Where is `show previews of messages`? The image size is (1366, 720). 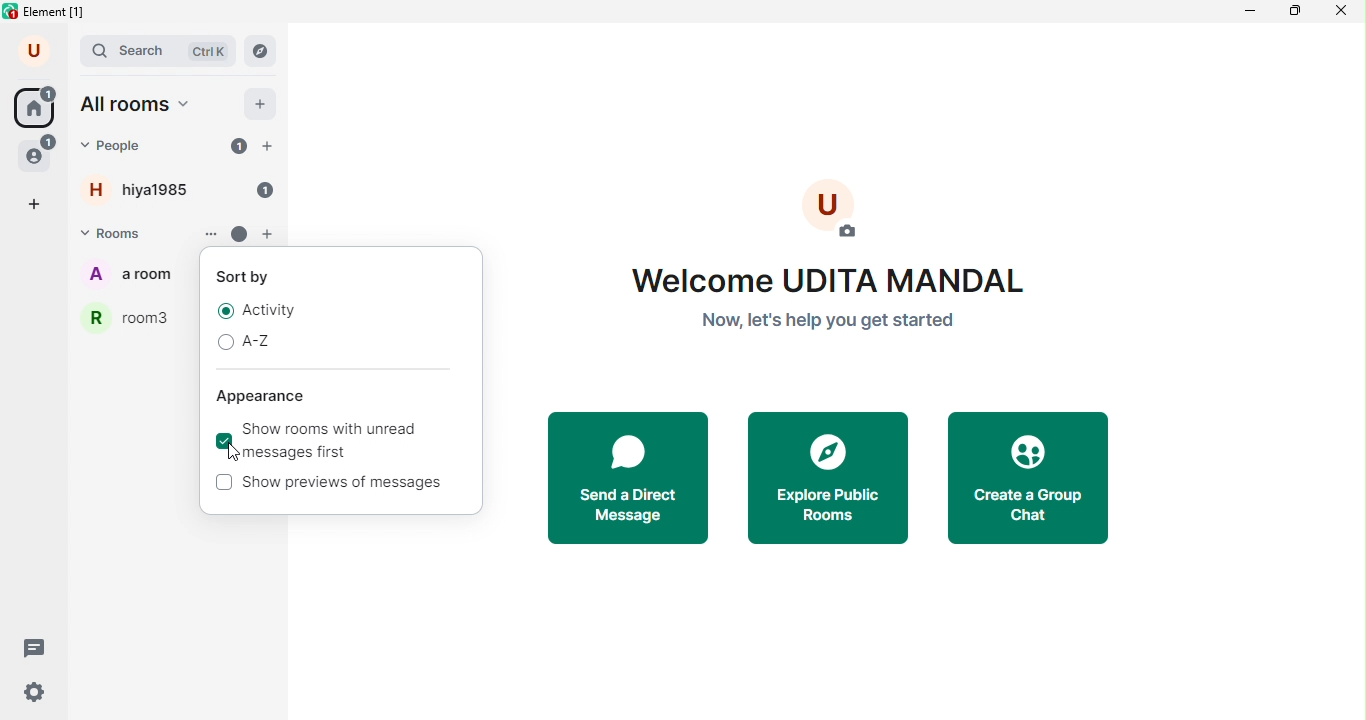 show previews of messages is located at coordinates (337, 487).